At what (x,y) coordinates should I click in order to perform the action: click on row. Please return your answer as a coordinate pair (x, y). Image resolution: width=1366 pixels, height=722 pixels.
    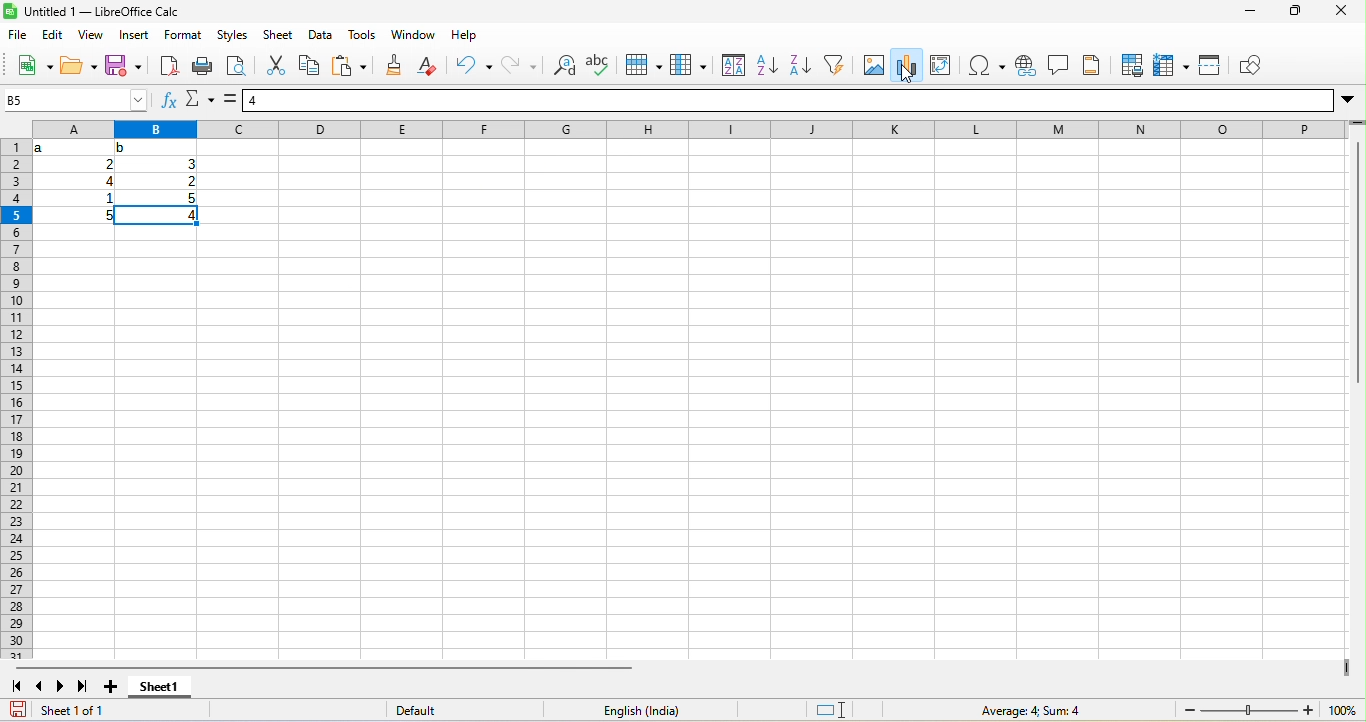
    Looking at the image, I should click on (643, 64).